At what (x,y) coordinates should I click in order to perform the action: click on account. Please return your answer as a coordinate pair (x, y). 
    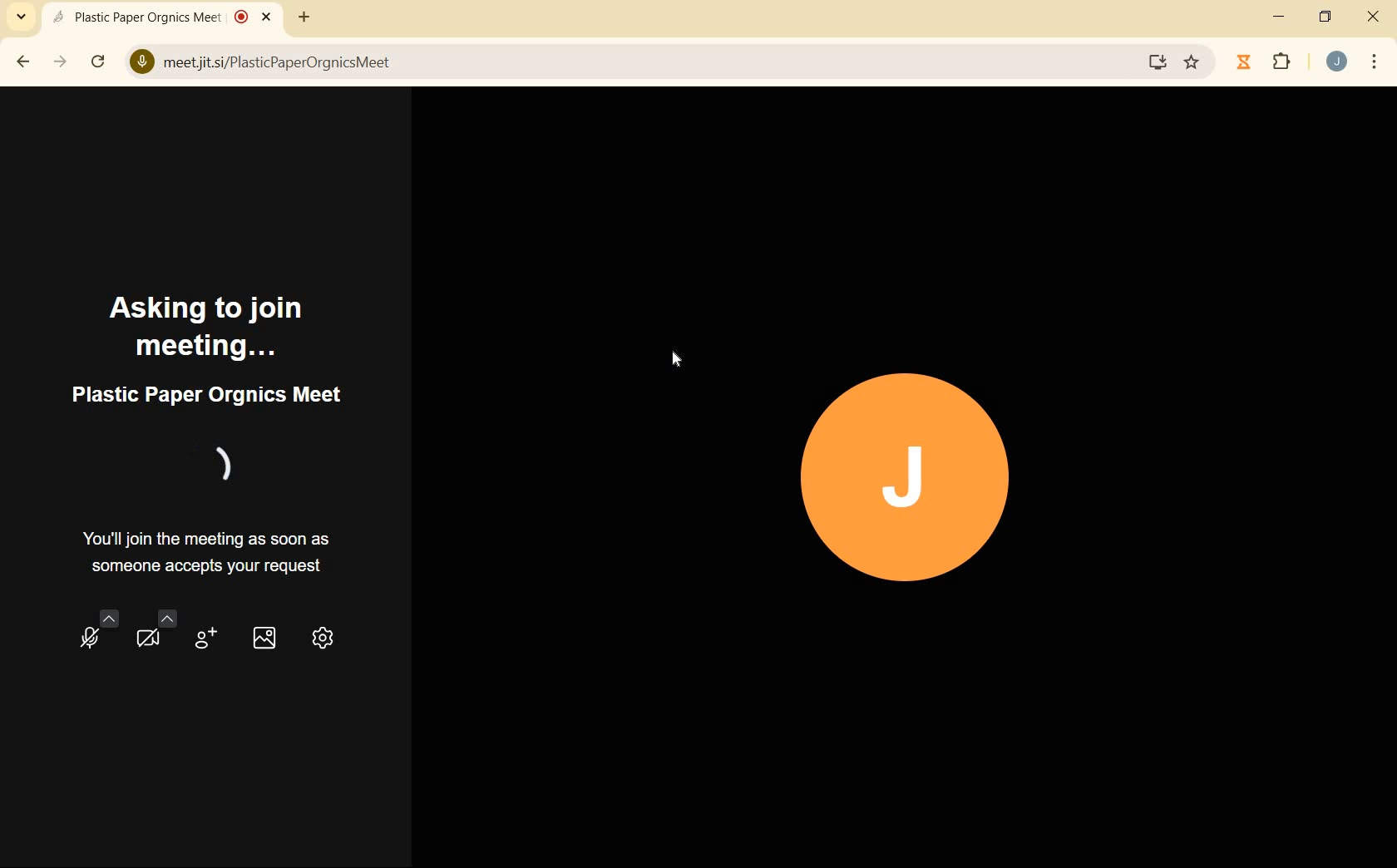
    Looking at the image, I should click on (1336, 62).